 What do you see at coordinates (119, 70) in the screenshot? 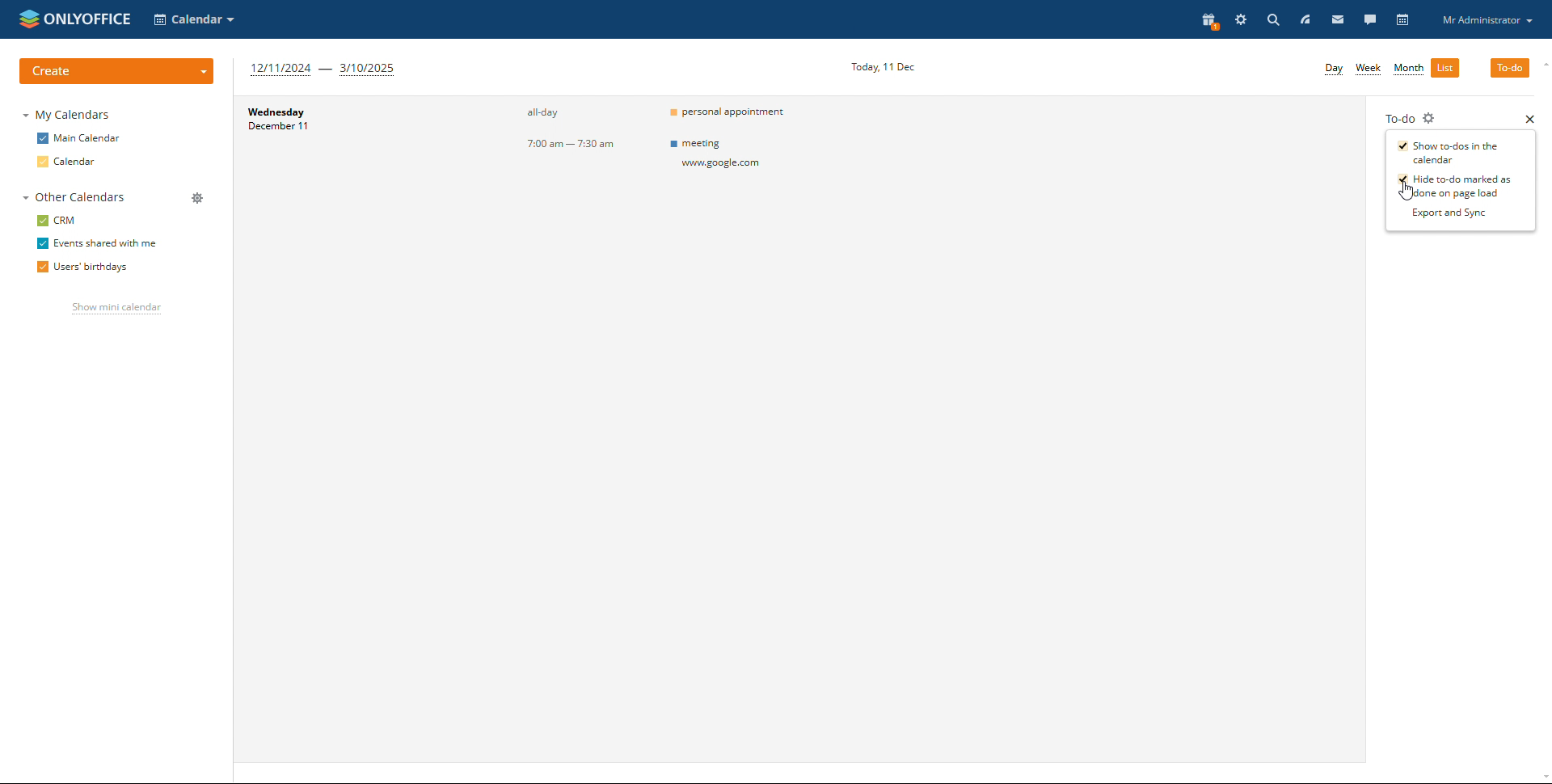
I see `create` at bounding box center [119, 70].